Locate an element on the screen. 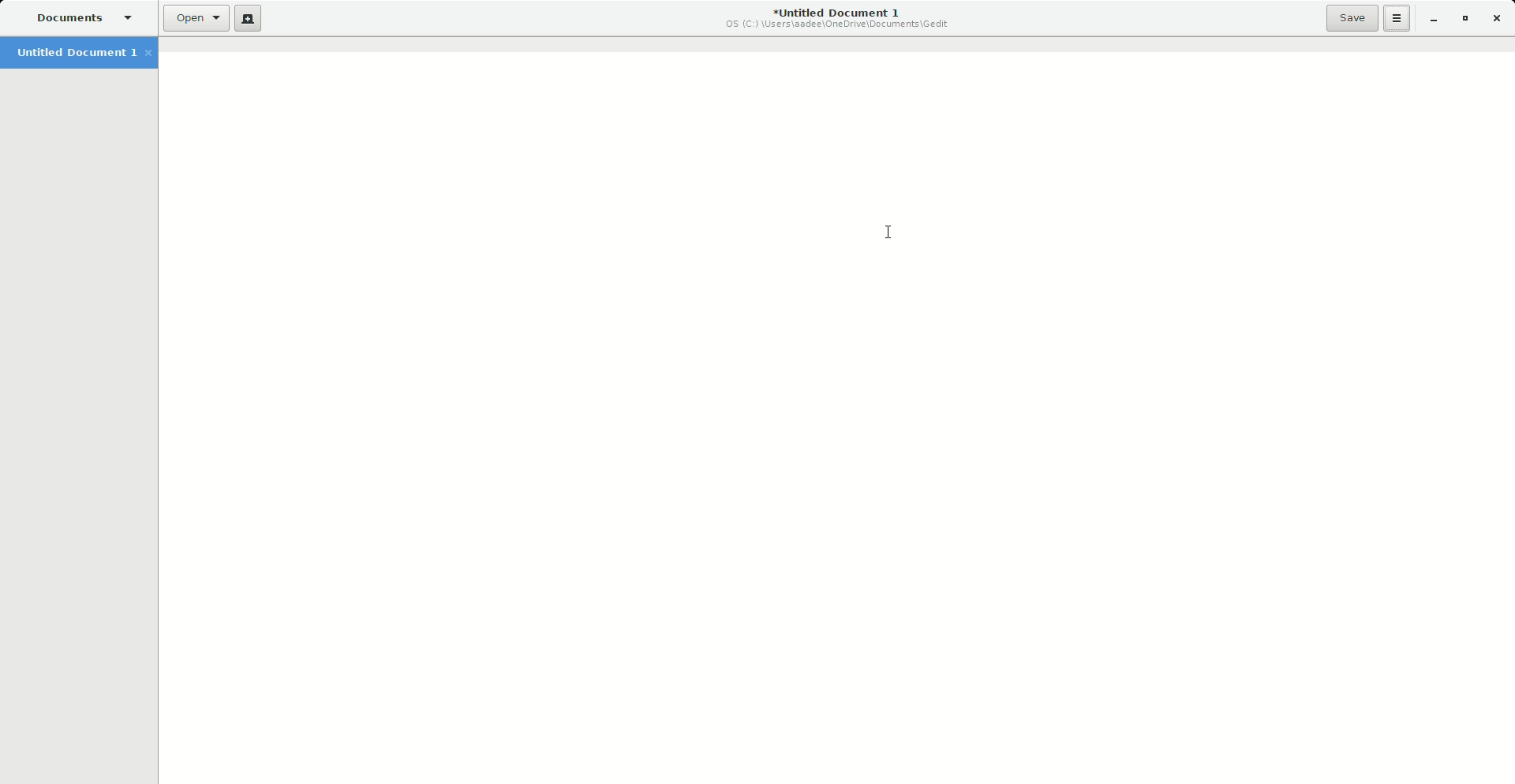 The height and width of the screenshot is (784, 1515). Untitled Document 1 is located at coordinates (79, 54).